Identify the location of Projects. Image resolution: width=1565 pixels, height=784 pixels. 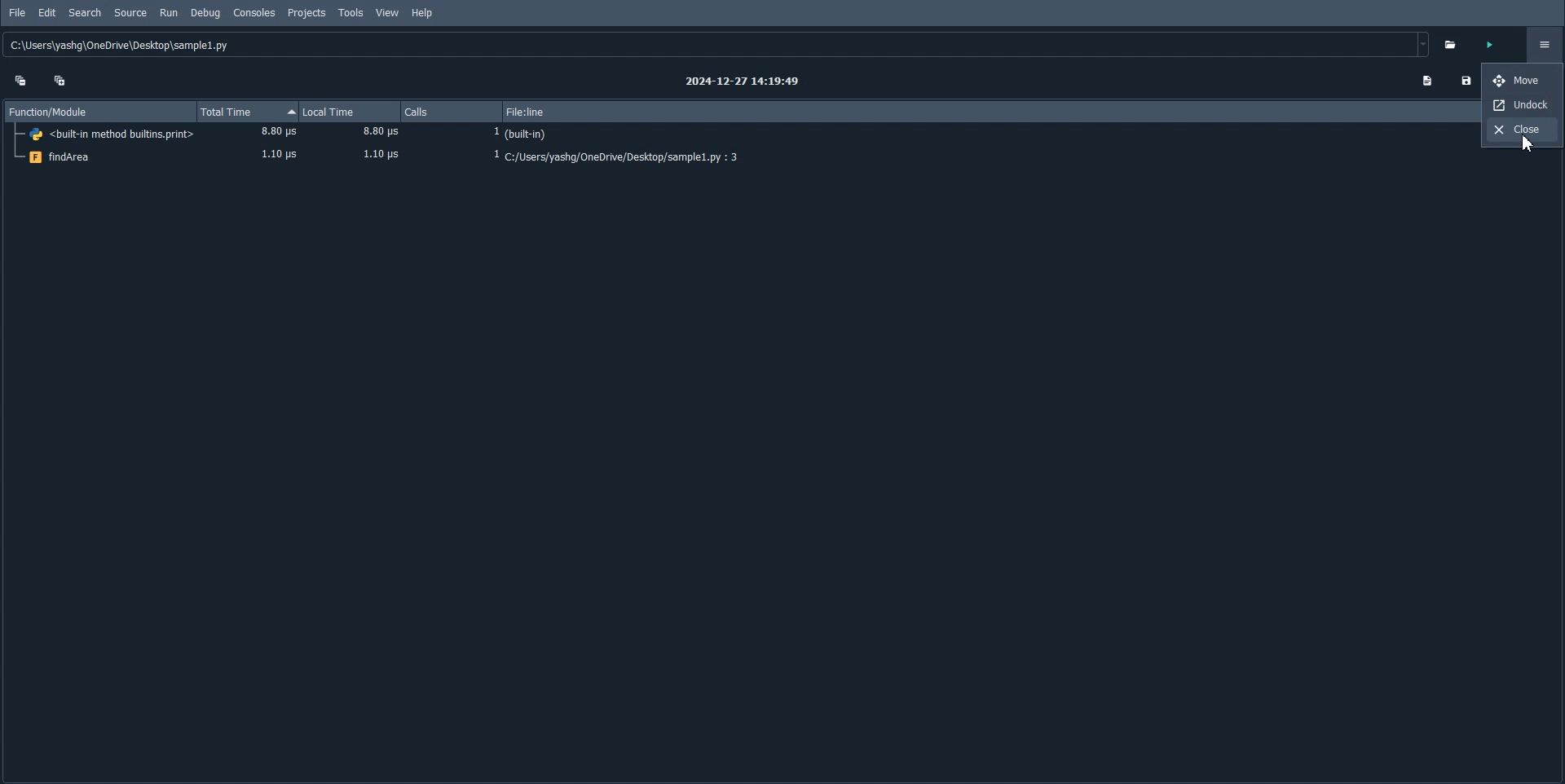
(306, 13).